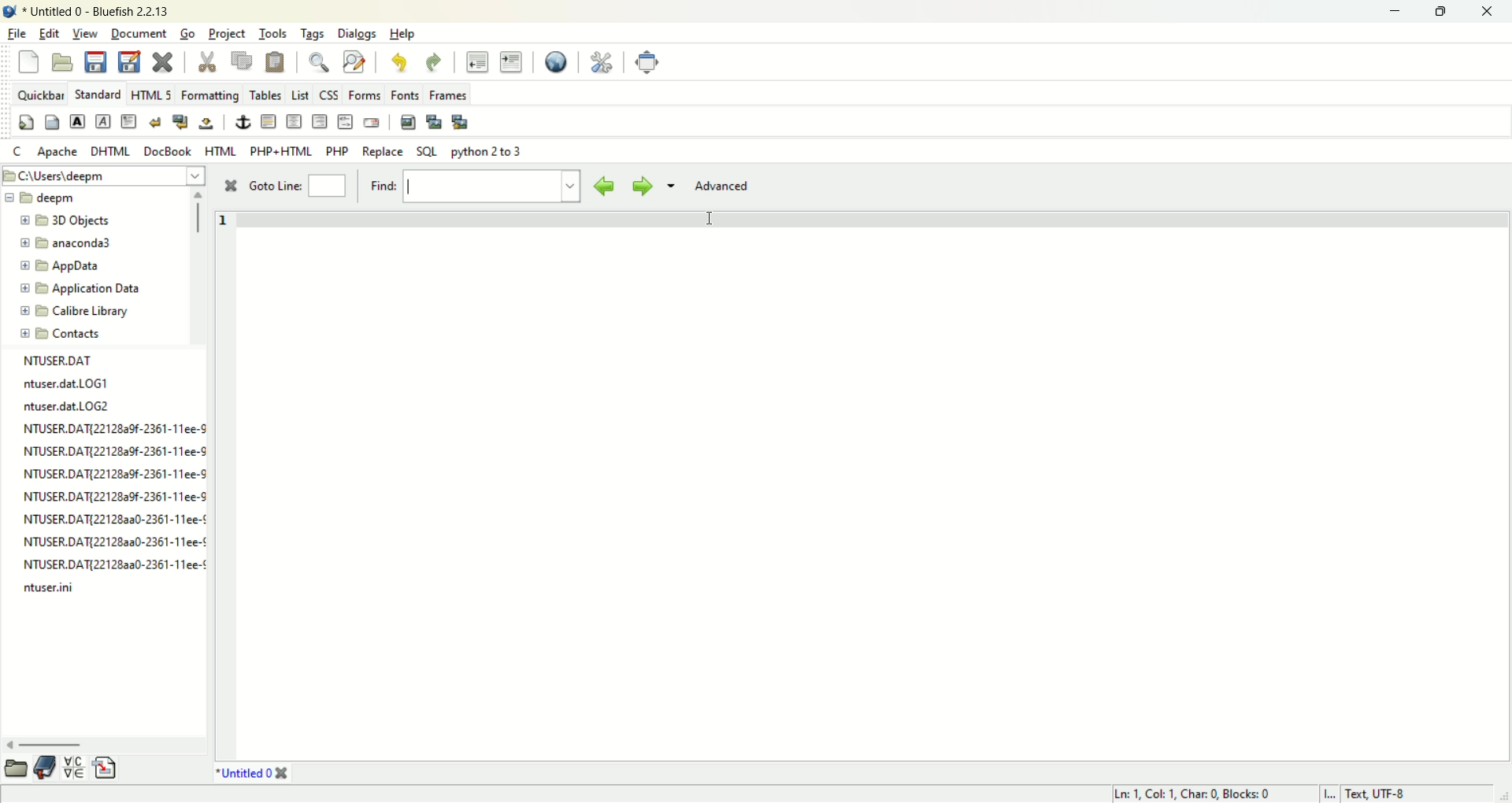 Image resolution: width=1512 pixels, height=803 pixels. What do you see at coordinates (61, 267) in the screenshot?
I see `appdata` at bounding box center [61, 267].